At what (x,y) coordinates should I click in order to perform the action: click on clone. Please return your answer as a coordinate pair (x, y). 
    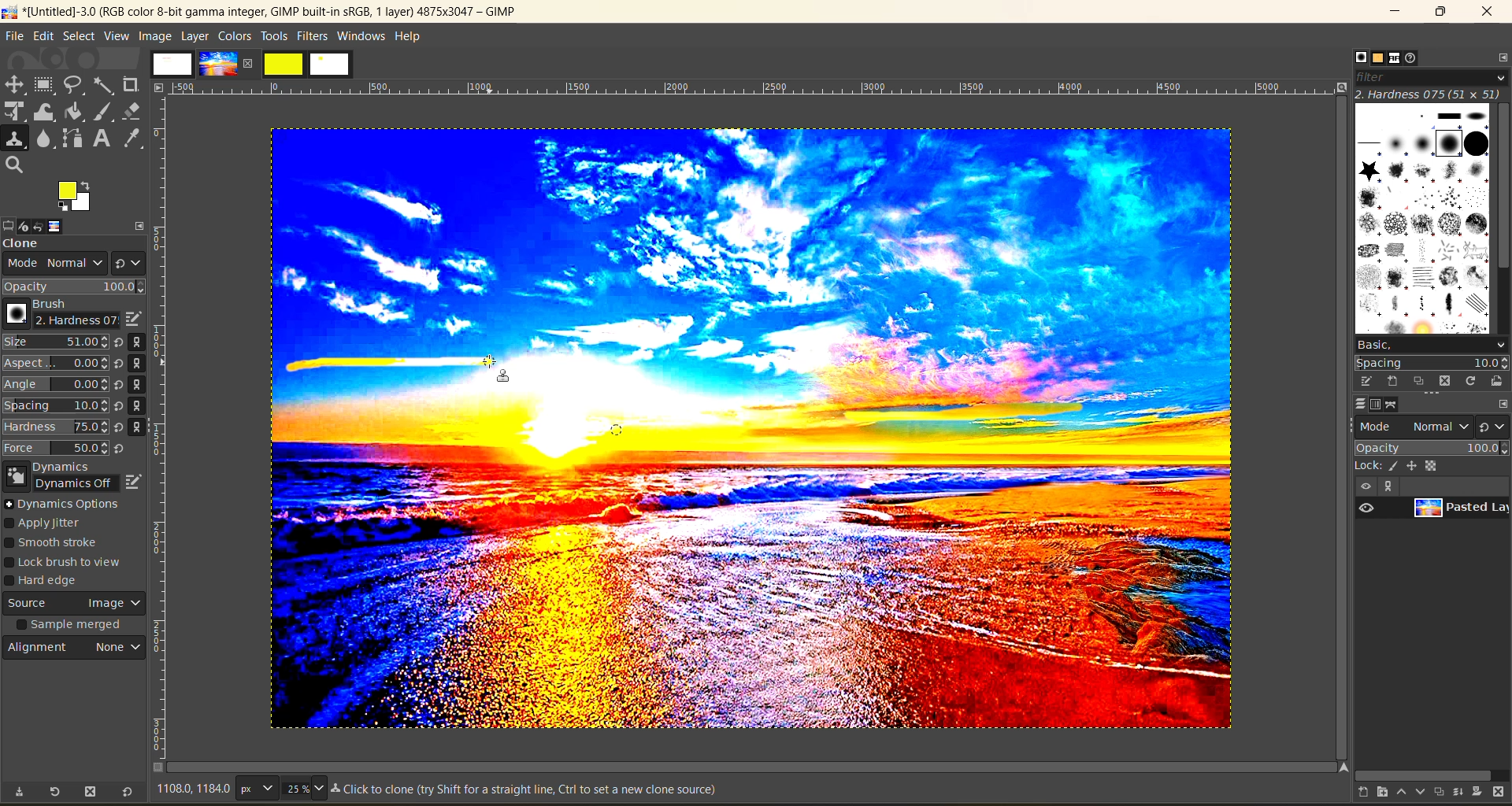
    Looking at the image, I should click on (35, 245).